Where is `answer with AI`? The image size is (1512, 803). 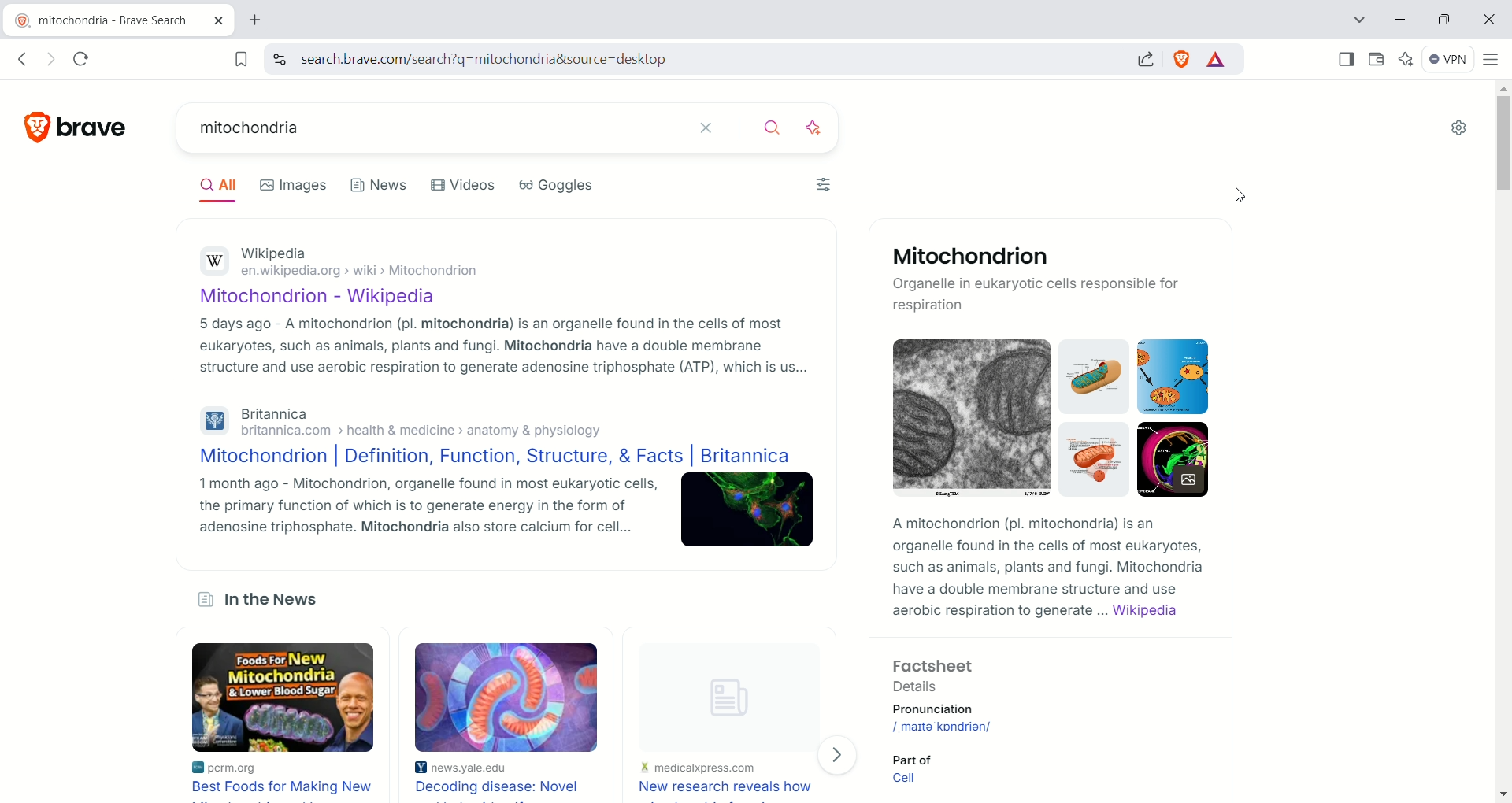
answer with AI is located at coordinates (815, 128).